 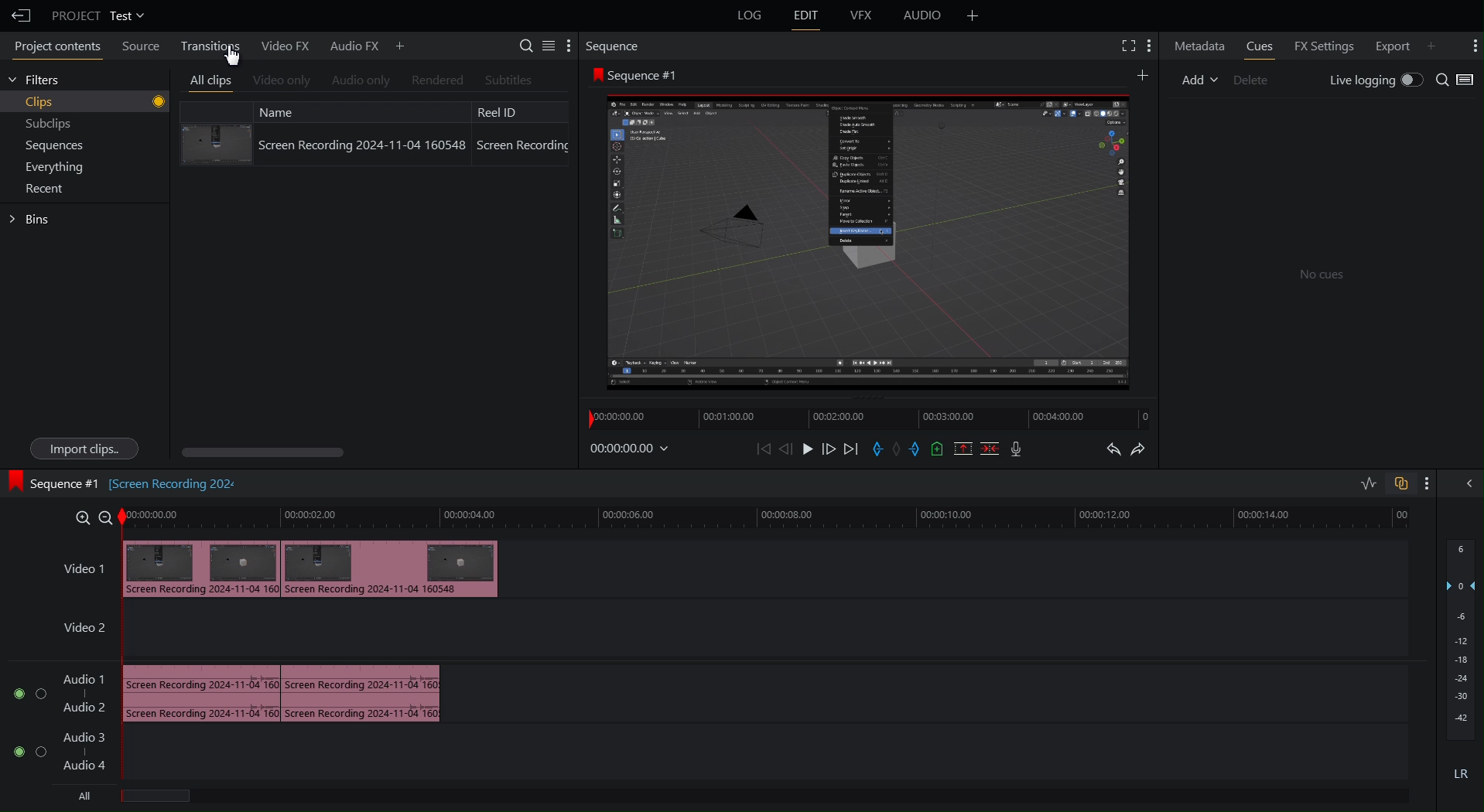 What do you see at coordinates (1456, 80) in the screenshot?
I see `Search` at bounding box center [1456, 80].